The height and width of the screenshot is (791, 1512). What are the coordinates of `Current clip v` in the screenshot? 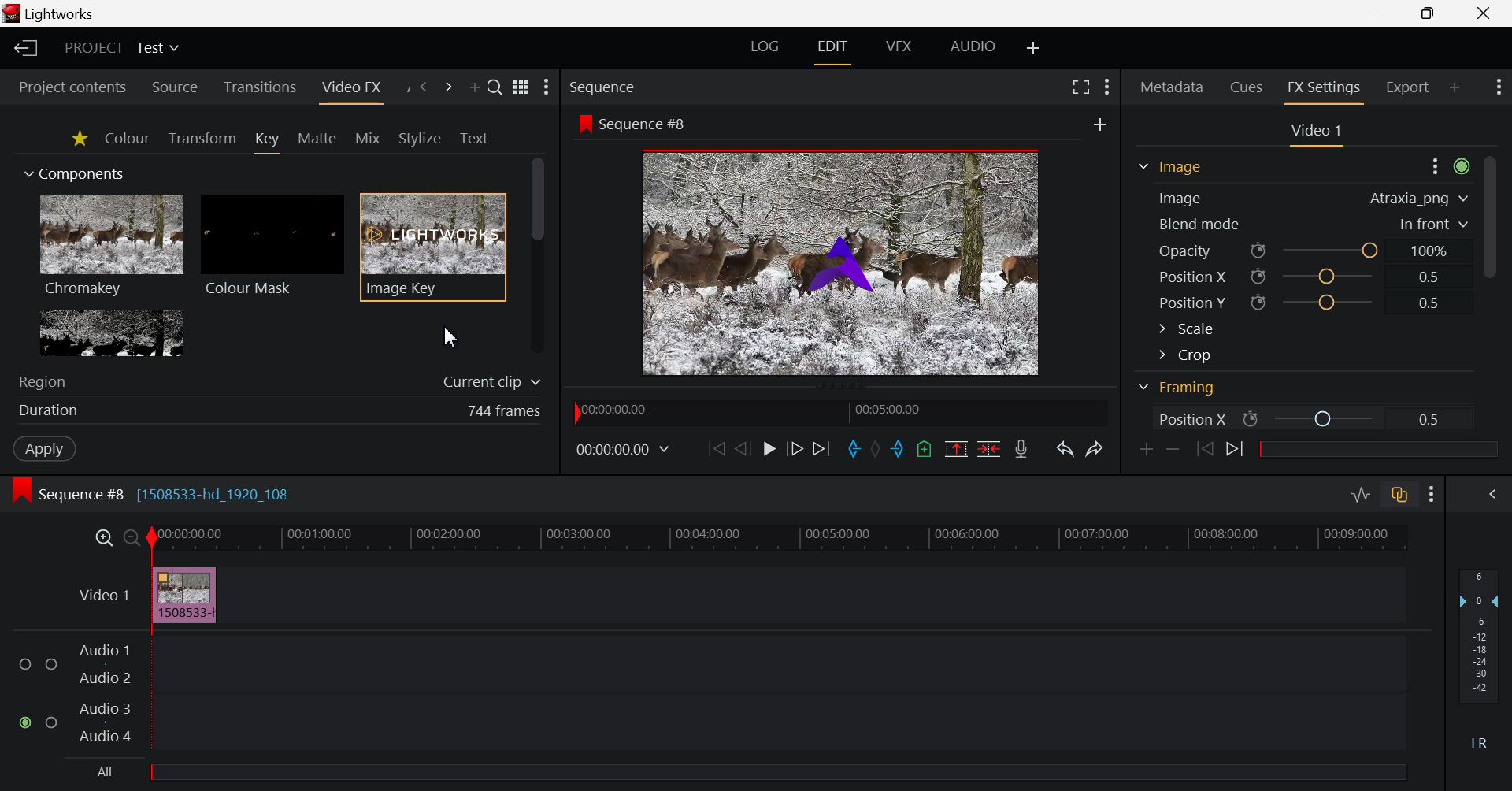 It's located at (491, 381).